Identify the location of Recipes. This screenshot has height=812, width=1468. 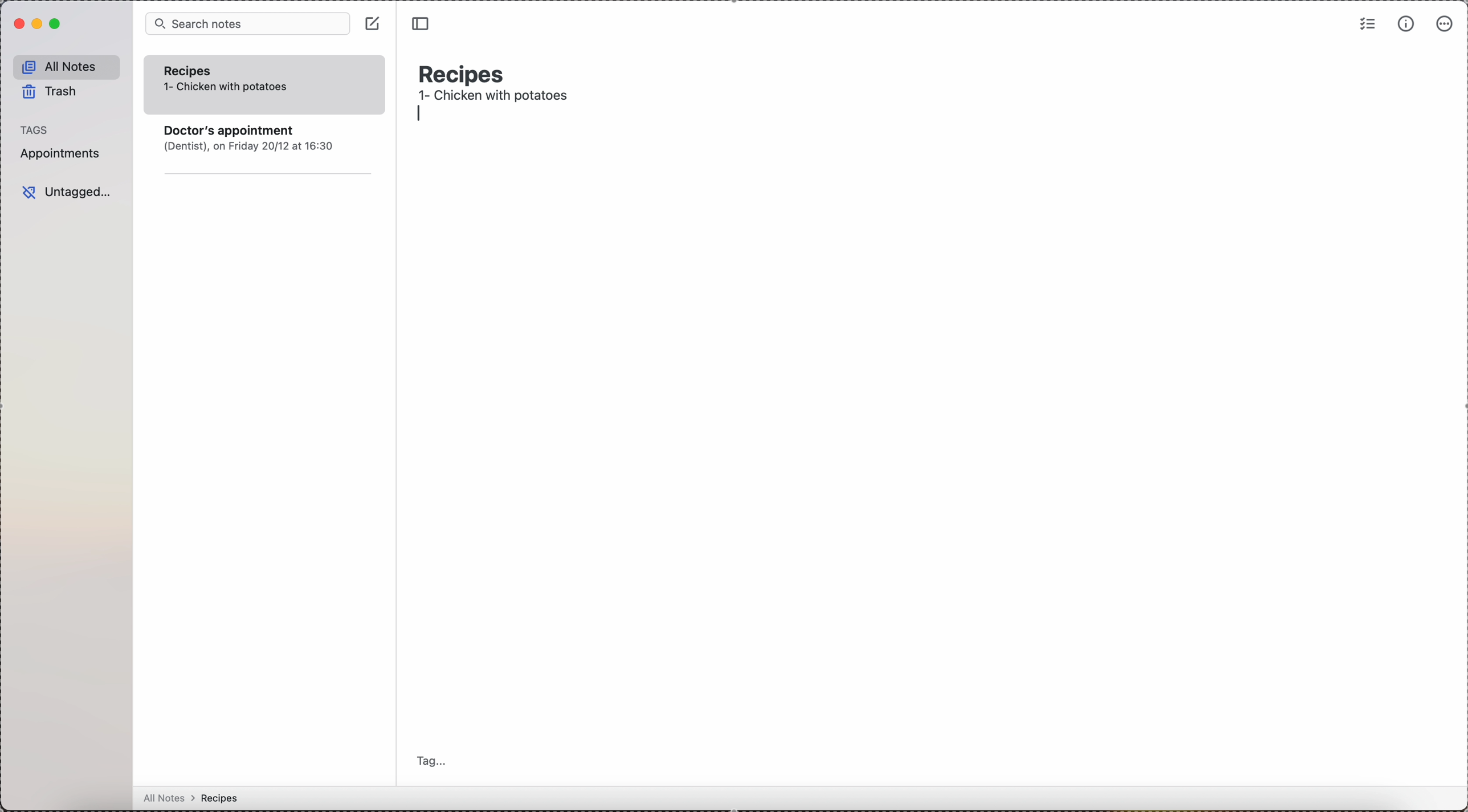
(198, 70).